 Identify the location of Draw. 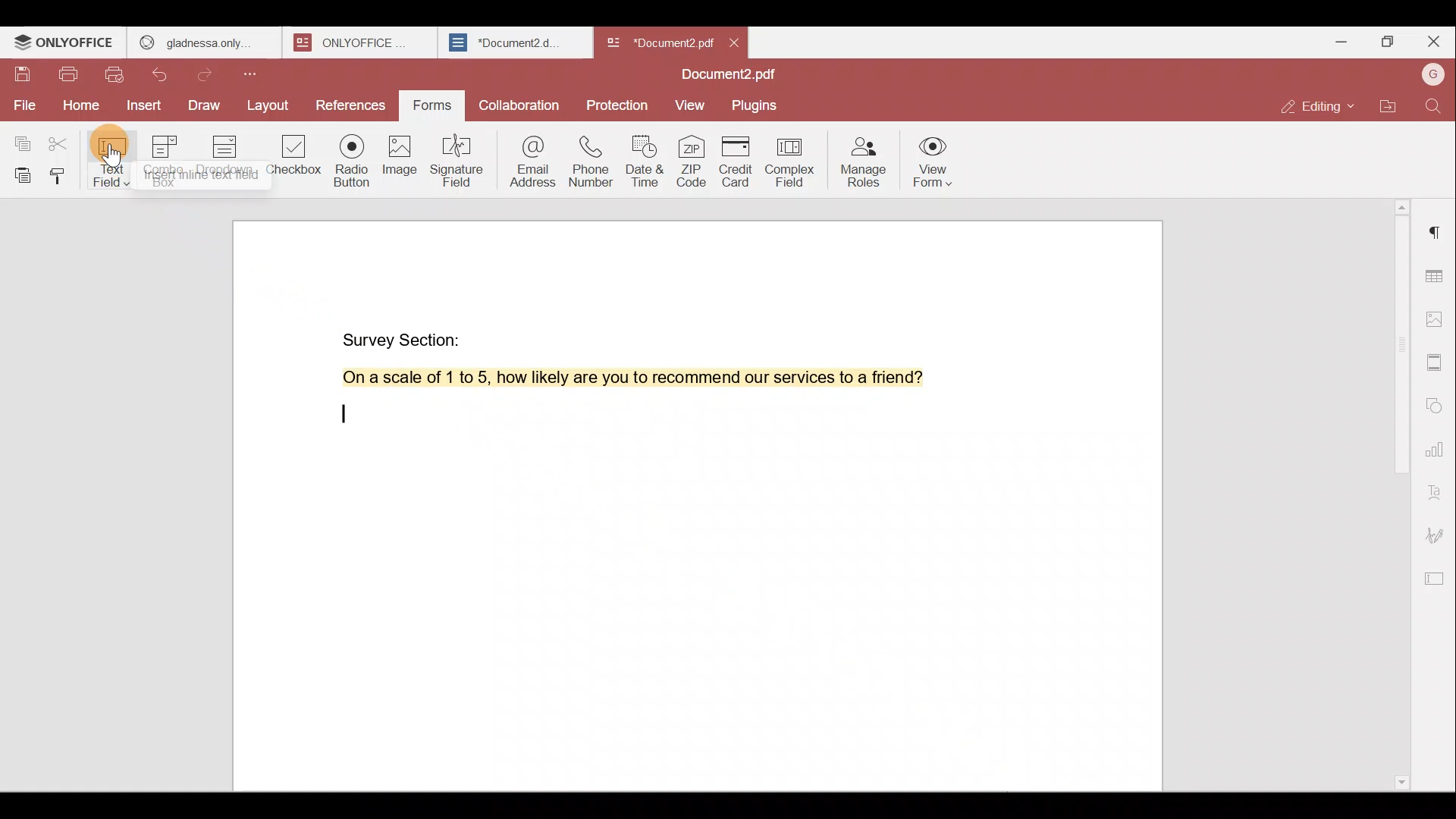
(206, 107).